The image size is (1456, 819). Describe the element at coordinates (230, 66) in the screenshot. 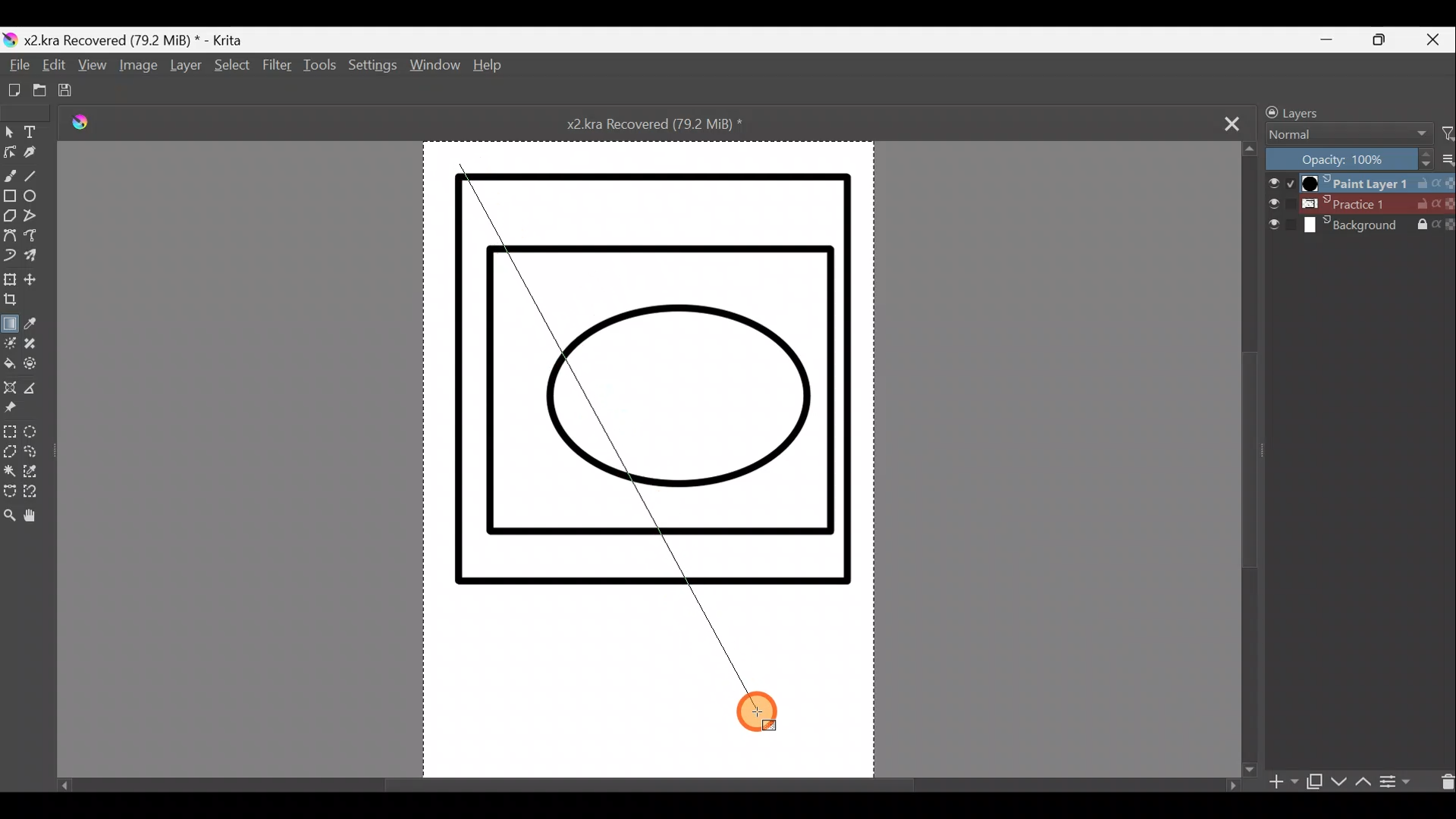

I see `Select` at that location.